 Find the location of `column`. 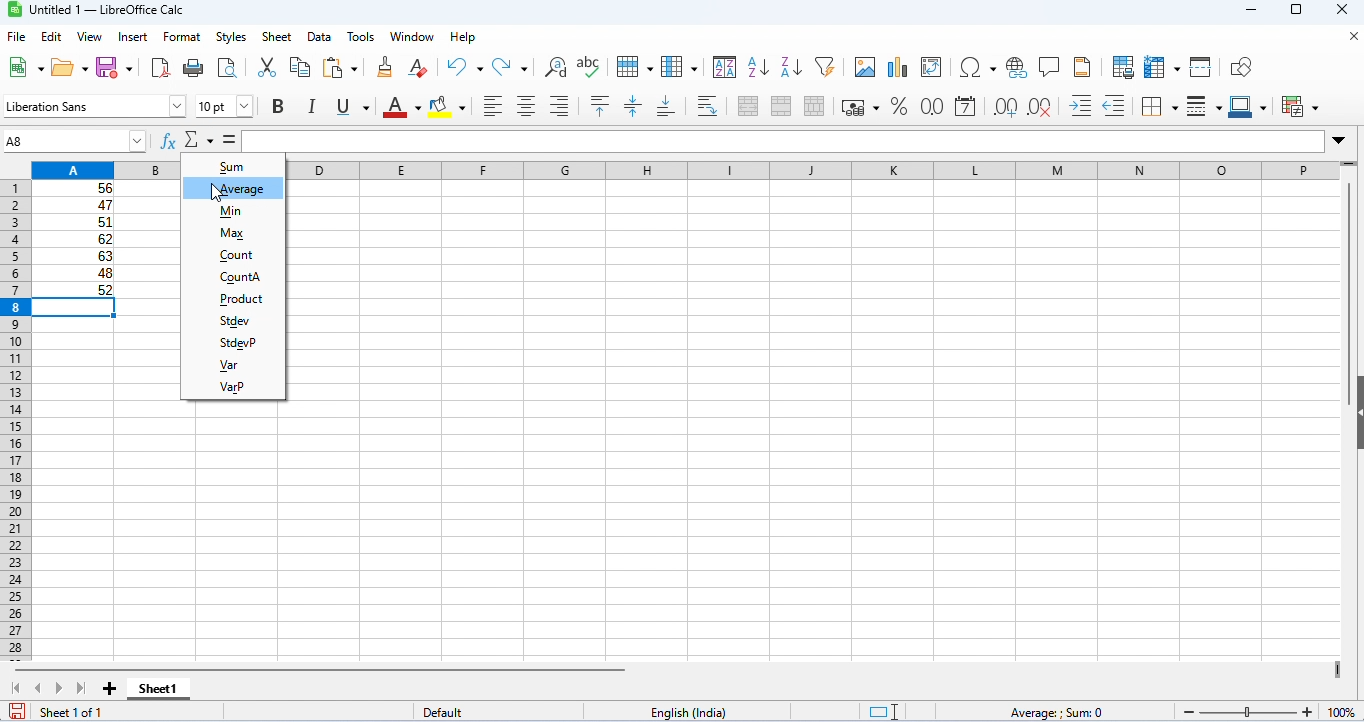

column is located at coordinates (679, 66).